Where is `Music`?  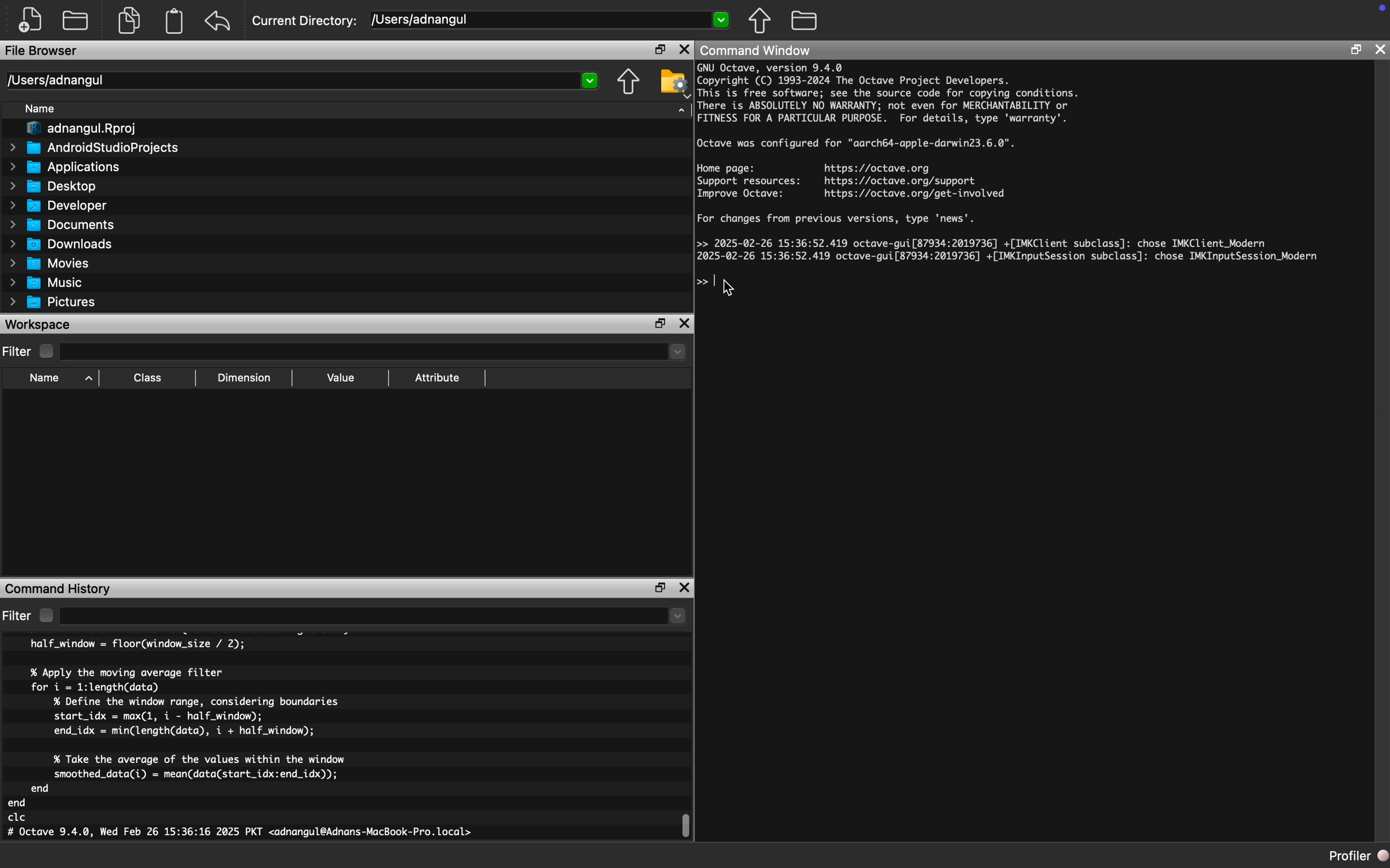
Music is located at coordinates (46, 282).